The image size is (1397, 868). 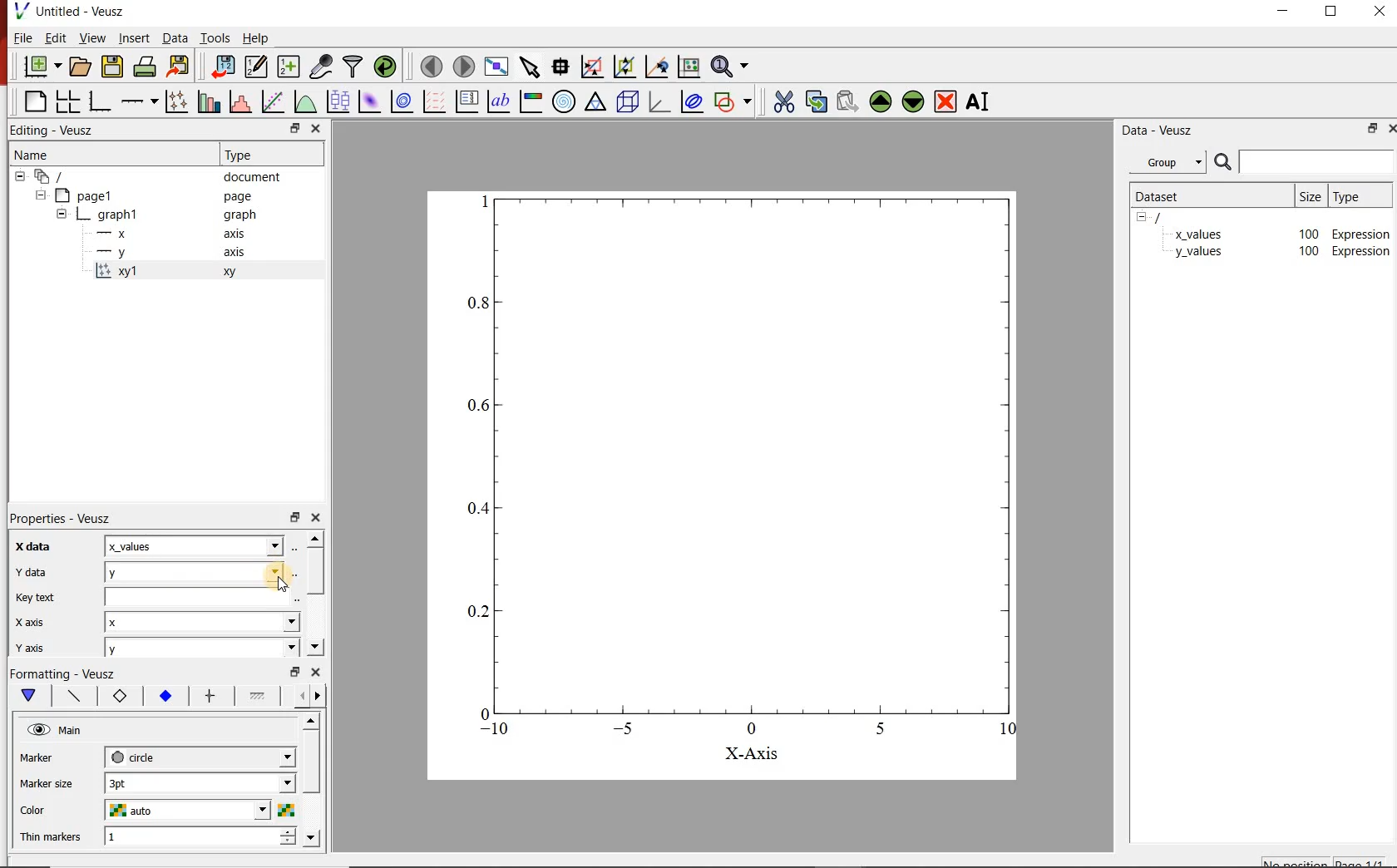 What do you see at coordinates (113, 66) in the screenshot?
I see `save` at bounding box center [113, 66].